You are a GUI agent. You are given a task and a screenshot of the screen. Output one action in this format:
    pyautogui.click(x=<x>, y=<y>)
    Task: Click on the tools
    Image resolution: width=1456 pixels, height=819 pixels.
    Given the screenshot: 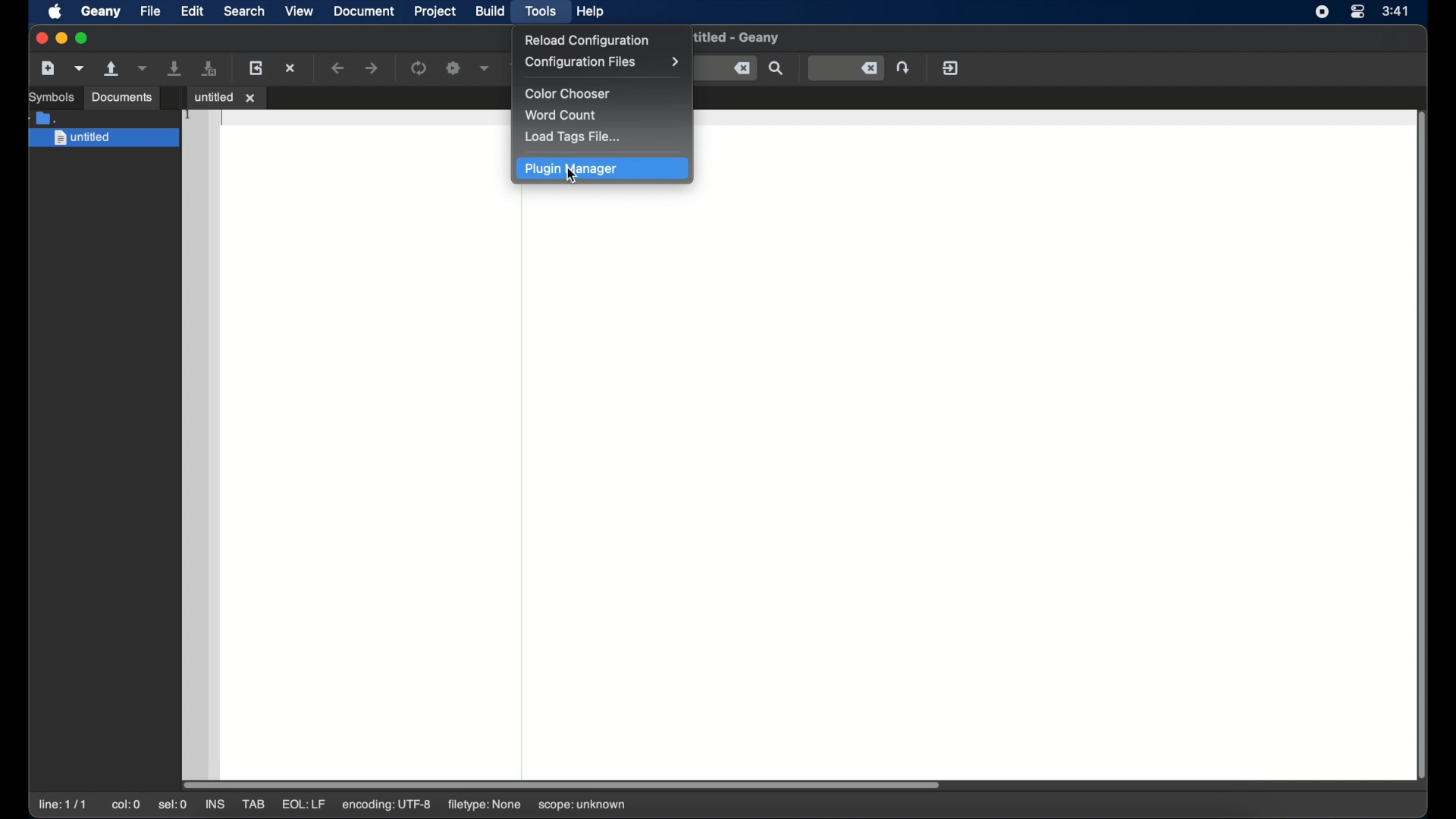 What is the action you would take?
    pyautogui.click(x=543, y=11)
    